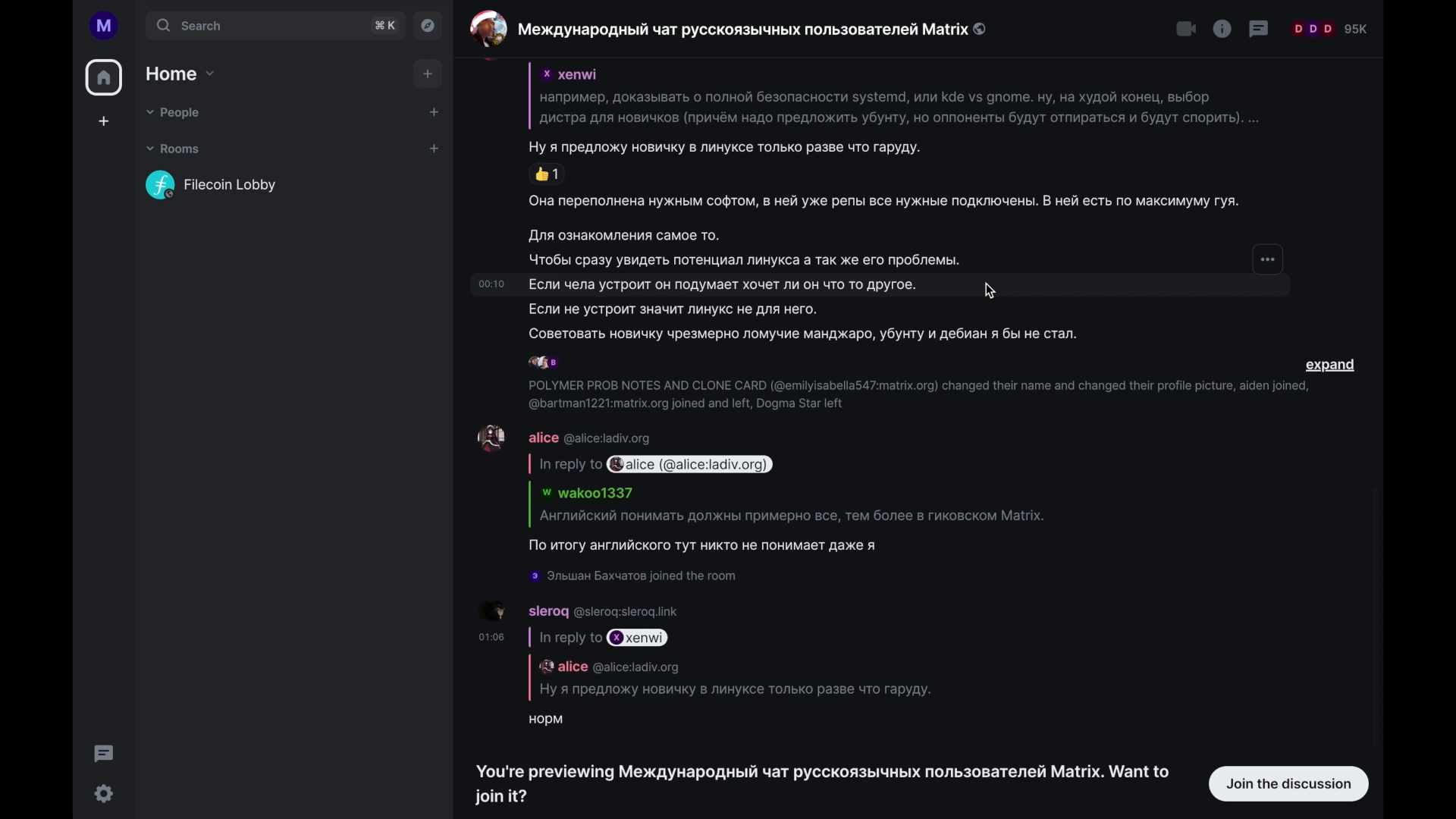 This screenshot has width=1456, height=819. I want to click on account name, so click(105, 25).